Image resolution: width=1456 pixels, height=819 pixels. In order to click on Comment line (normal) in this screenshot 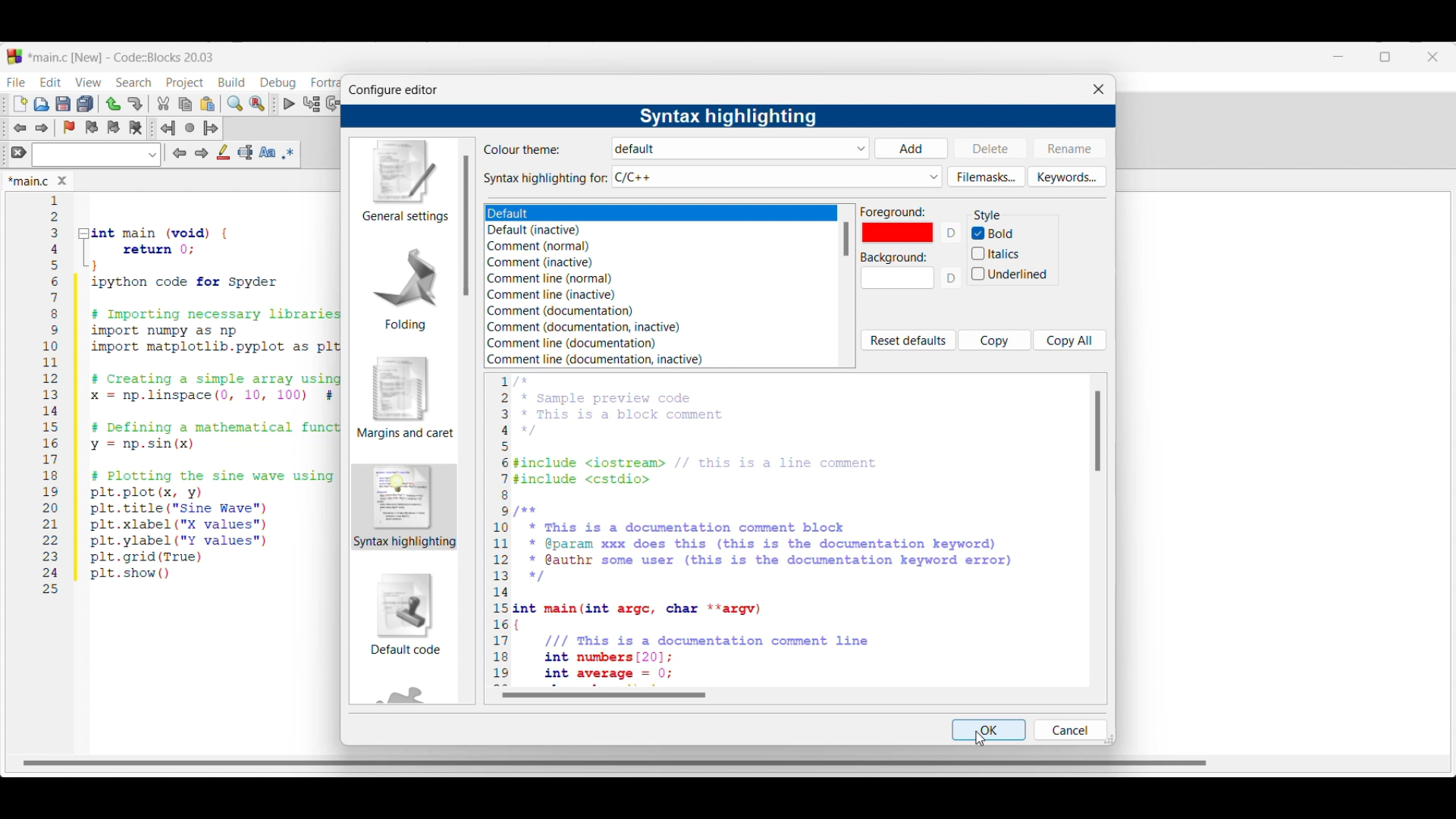, I will do `click(550, 278)`.